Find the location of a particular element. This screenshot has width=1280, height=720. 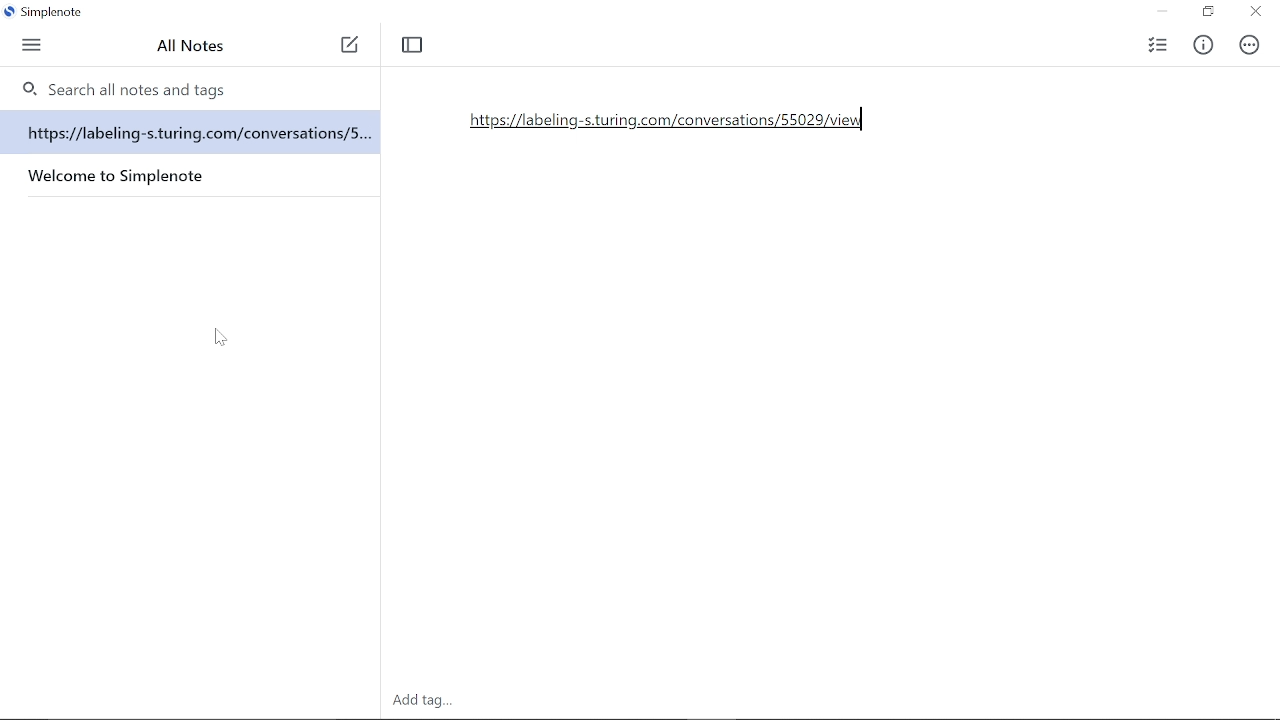

Info is located at coordinates (1205, 48).